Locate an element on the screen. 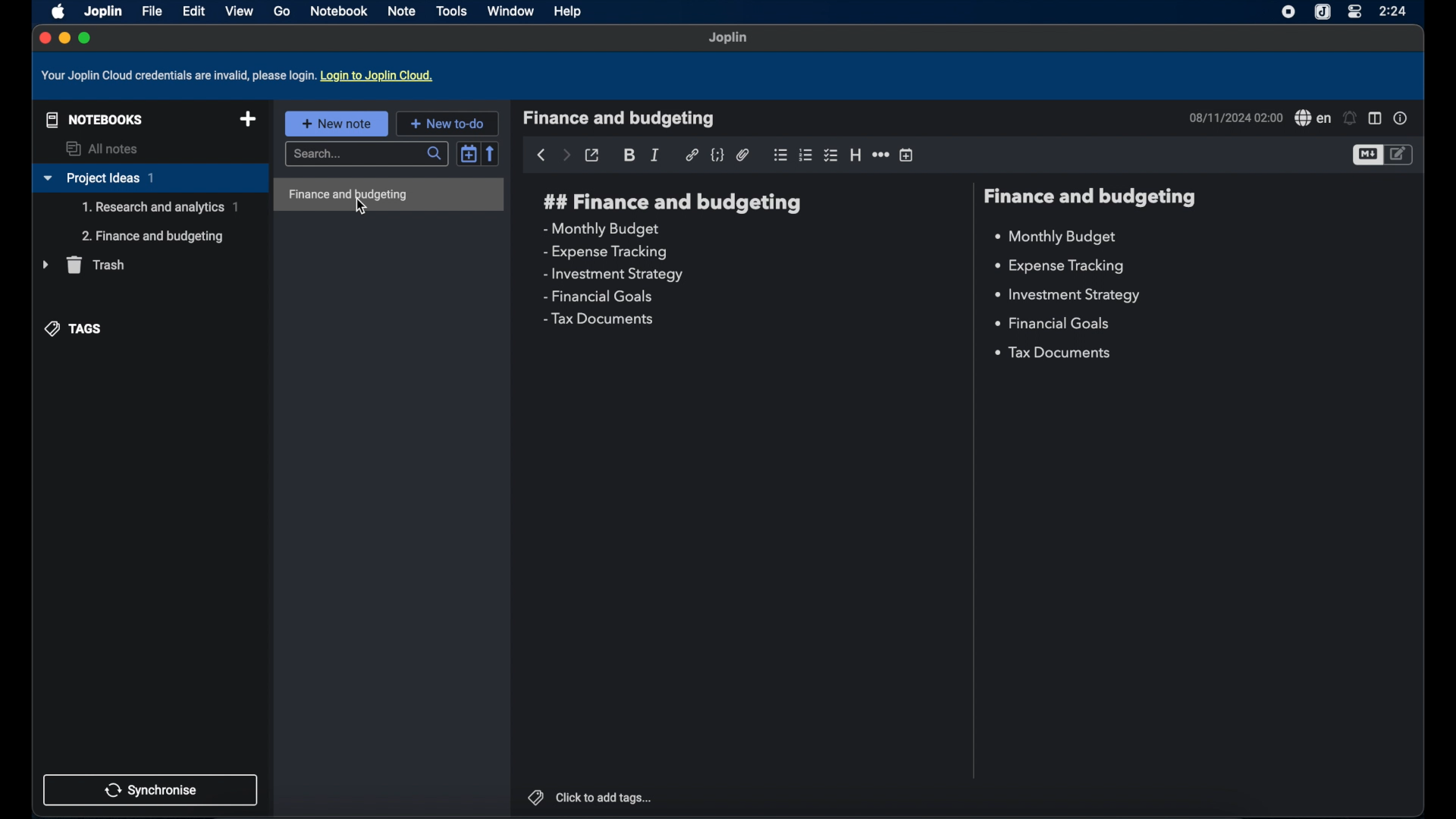 This screenshot has width=1456, height=819. Joplin is located at coordinates (729, 39).